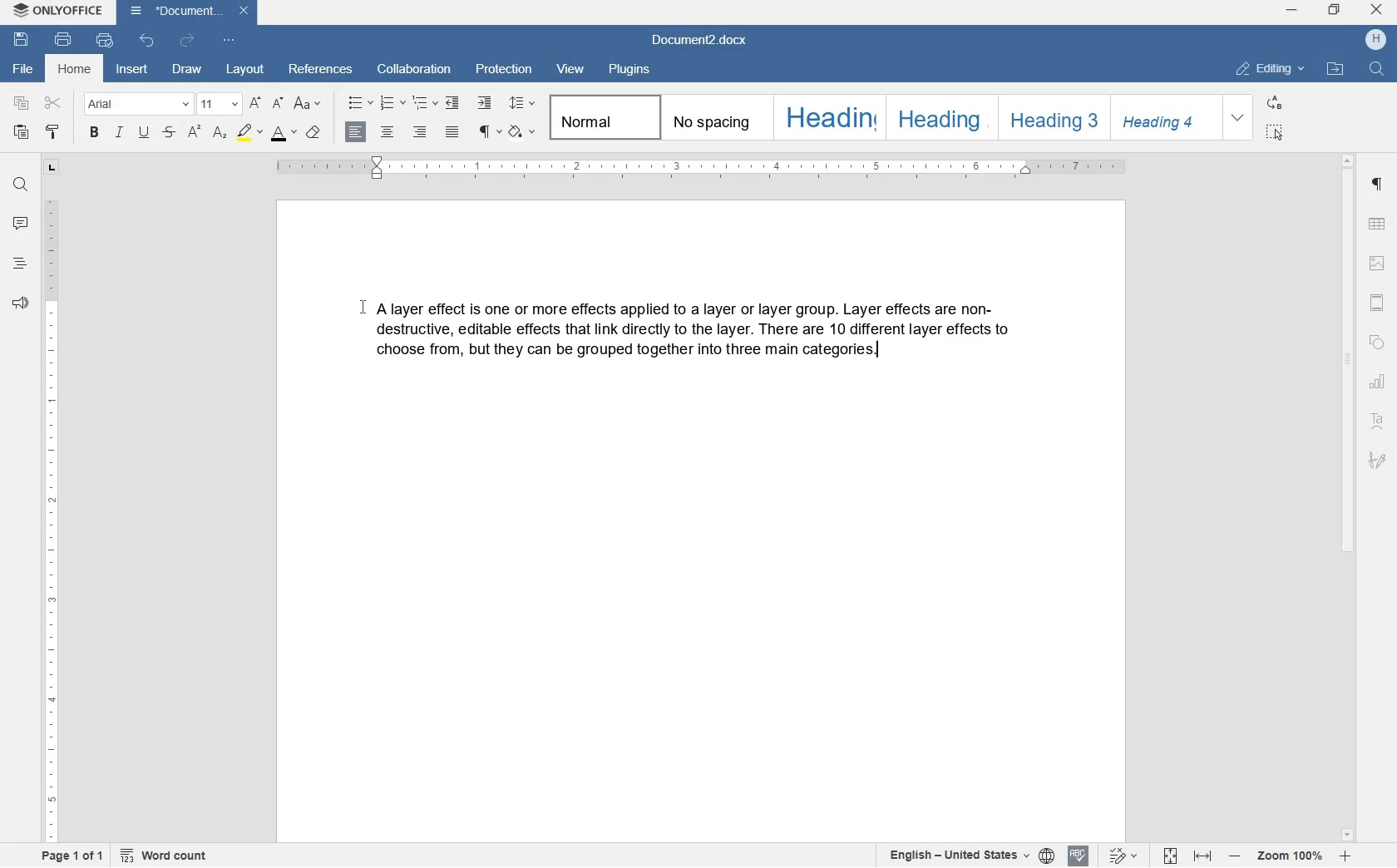 The height and width of the screenshot is (868, 1397). I want to click on select all , so click(1276, 131).